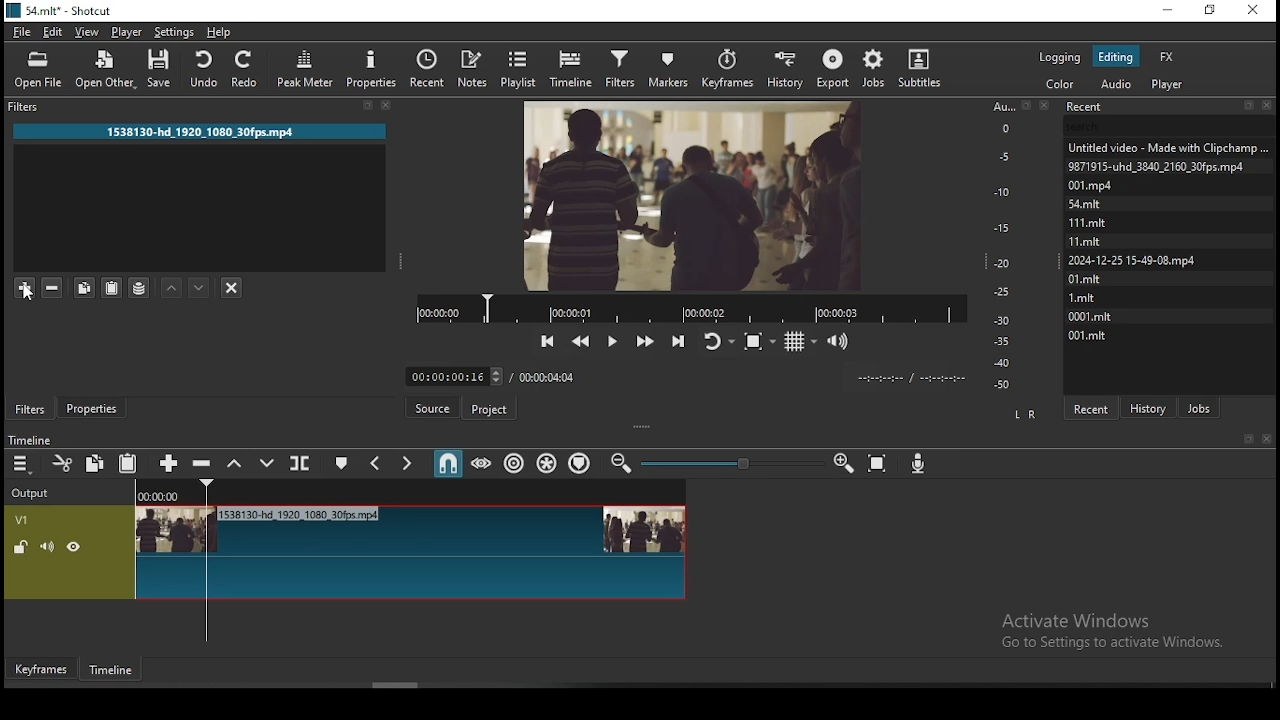  What do you see at coordinates (1090, 241) in the screenshot?
I see `11.mit` at bounding box center [1090, 241].